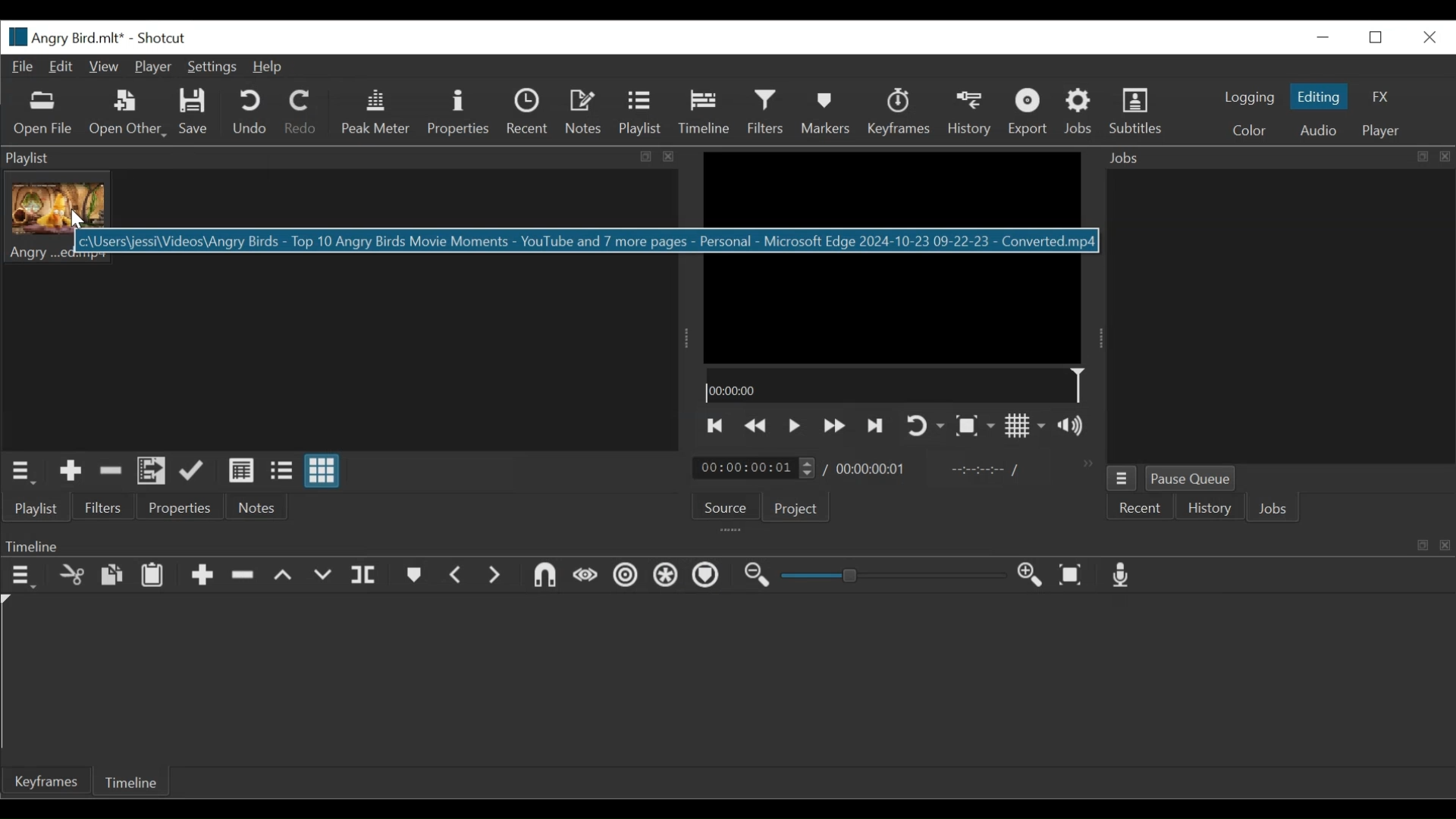 The width and height of the screenshot is (1456, 819). I want to click on Previous marker, so click(457, 576).